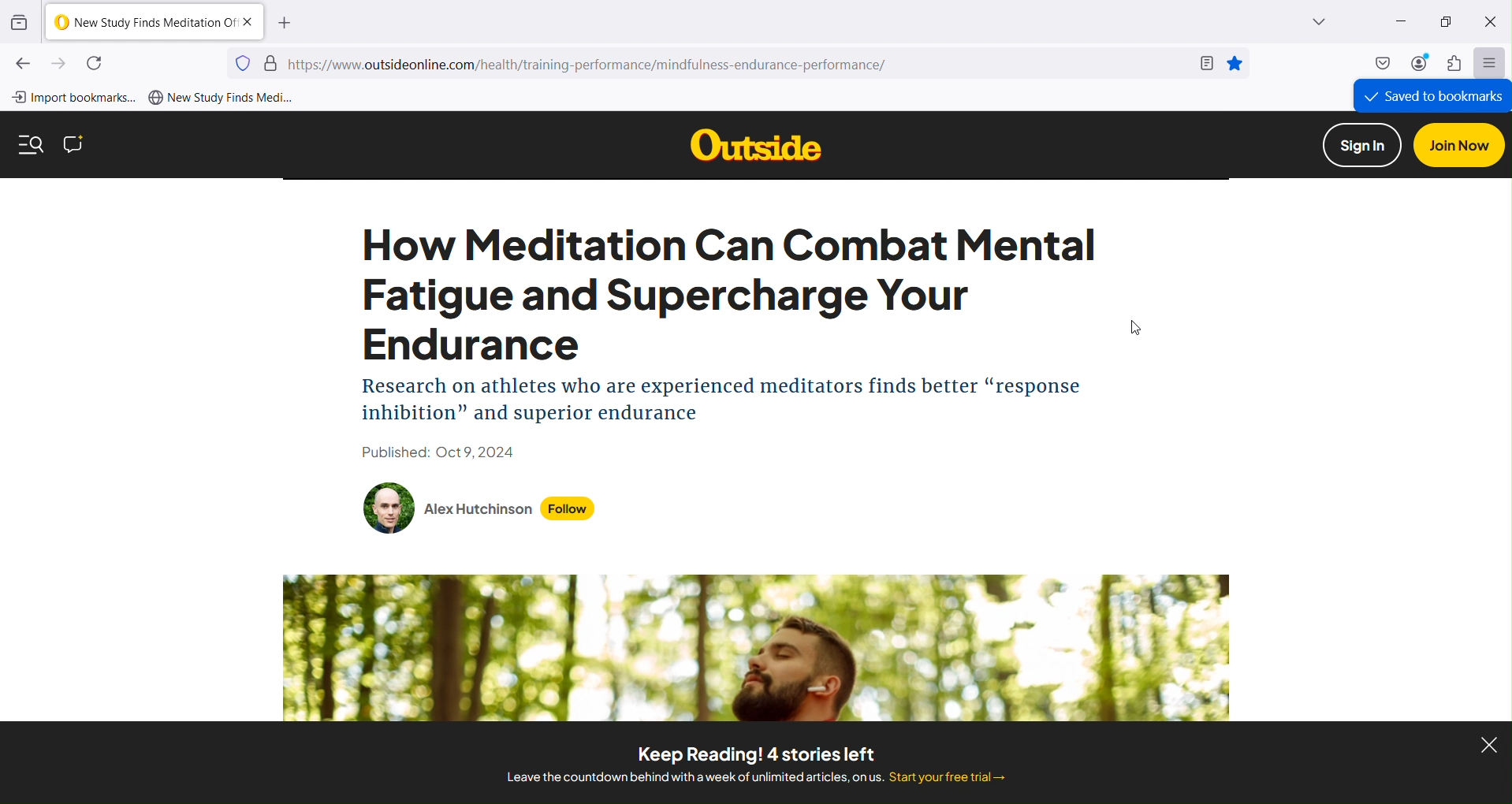 Image resolution: width=1512 pixels, height=804 pixels. What do you see at coordinates (568, 509) in the screenshot?
I see `Follow button` at bounding box center [568, 509].